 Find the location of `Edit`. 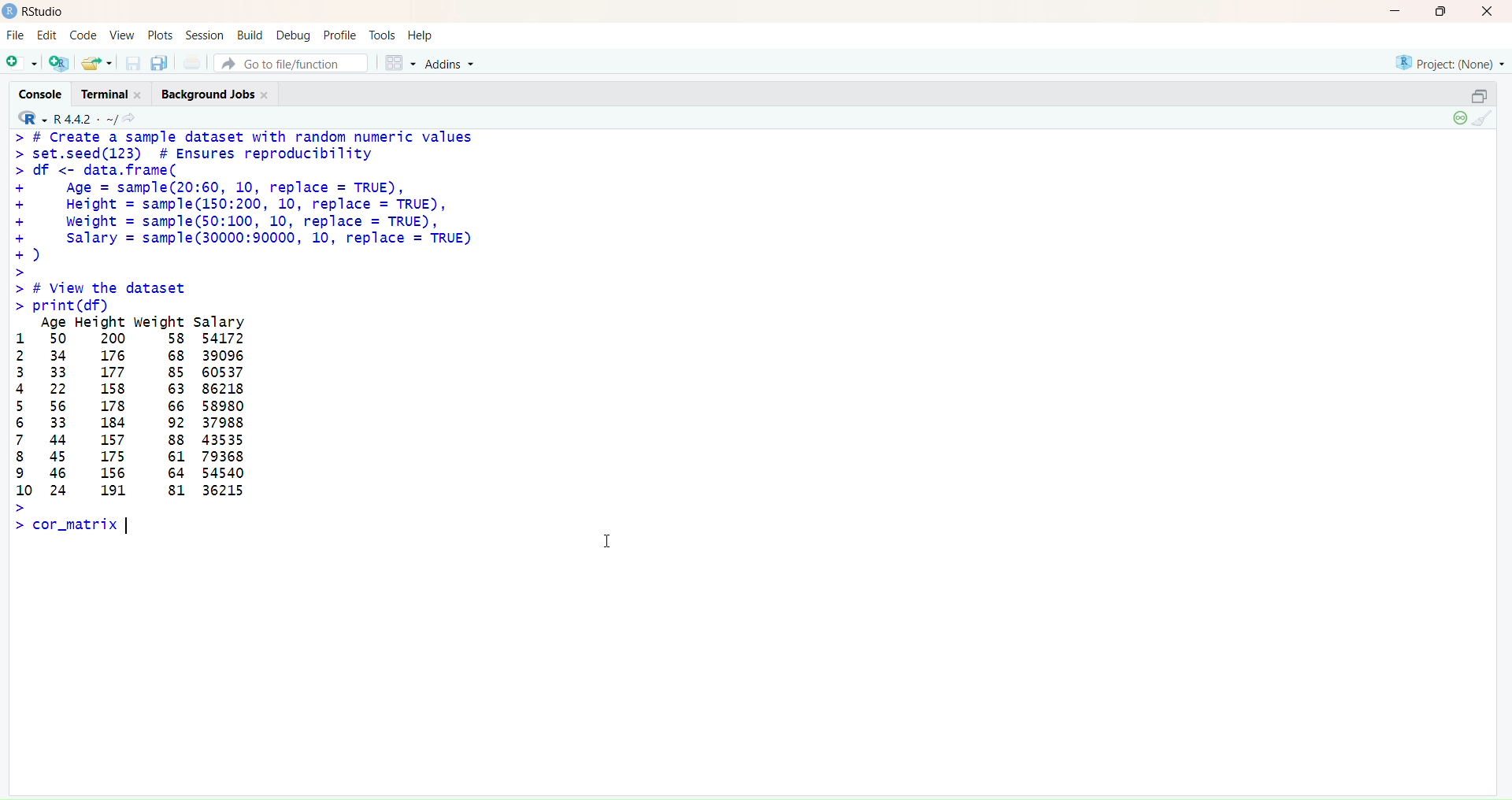

Edit is located at coordinates (48, 36).